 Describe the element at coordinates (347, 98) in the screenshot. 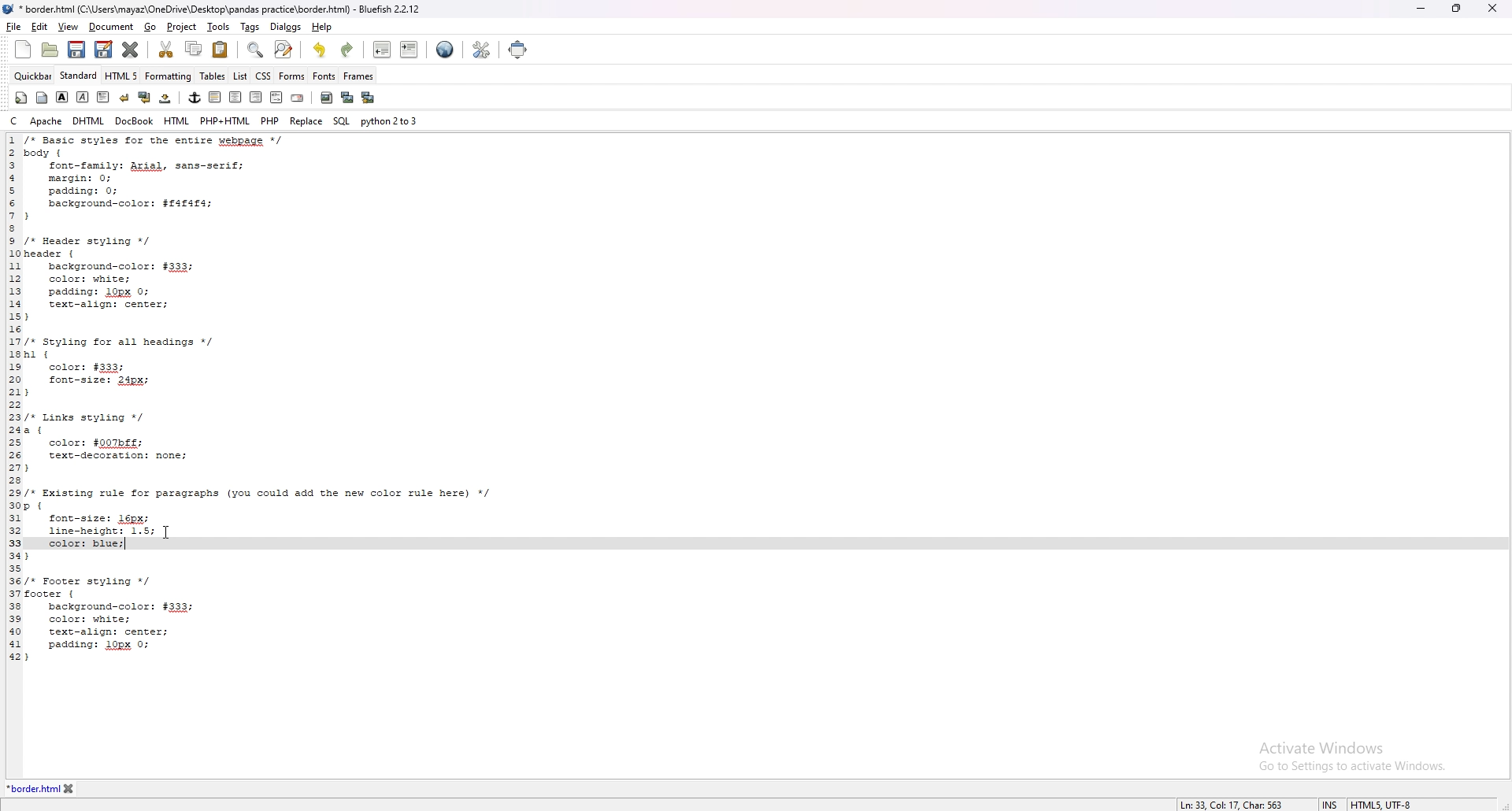

I see `insert thumbnail` at that location.